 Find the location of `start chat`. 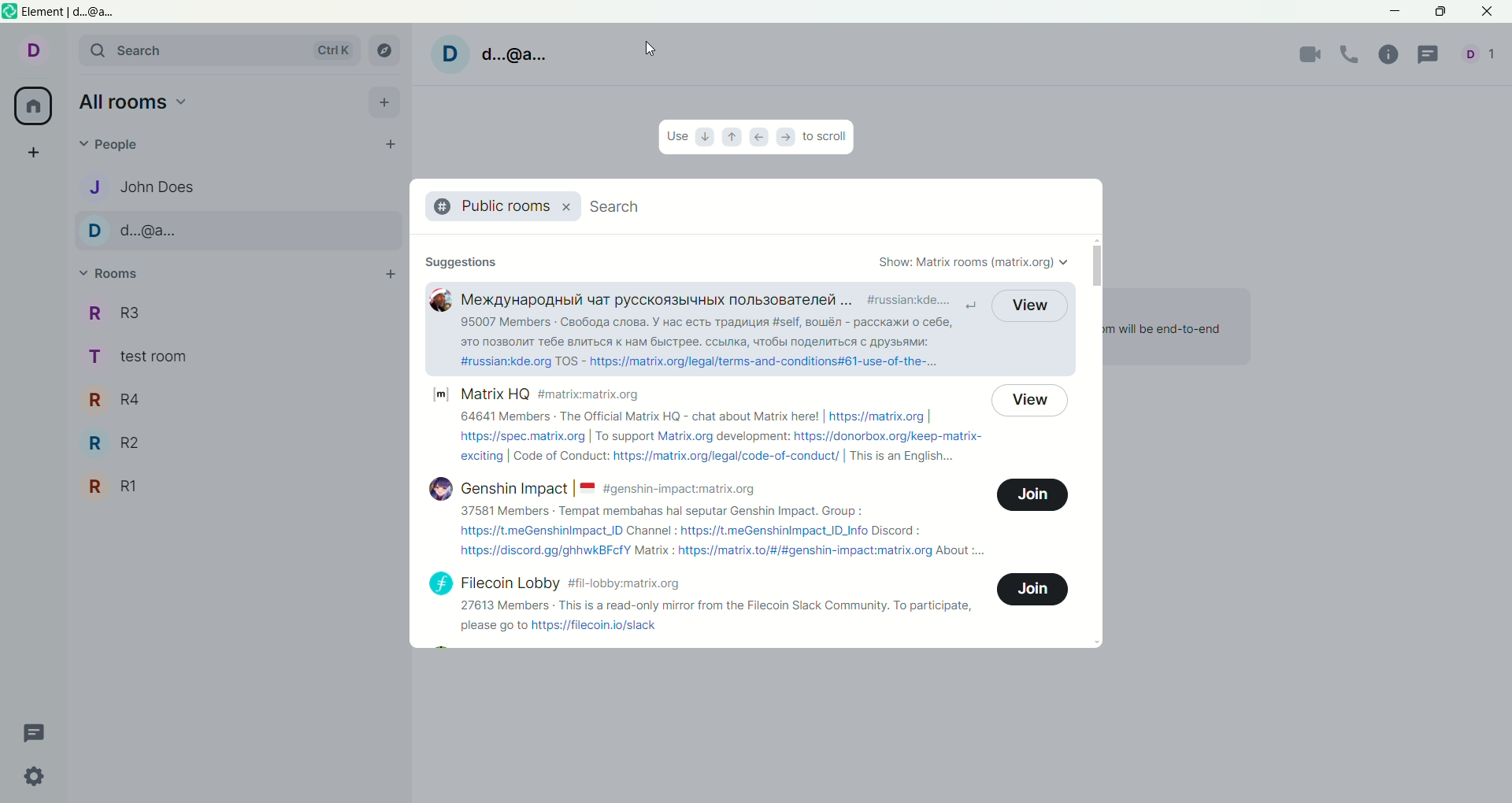

start chat is located at coordinates (388, 142).